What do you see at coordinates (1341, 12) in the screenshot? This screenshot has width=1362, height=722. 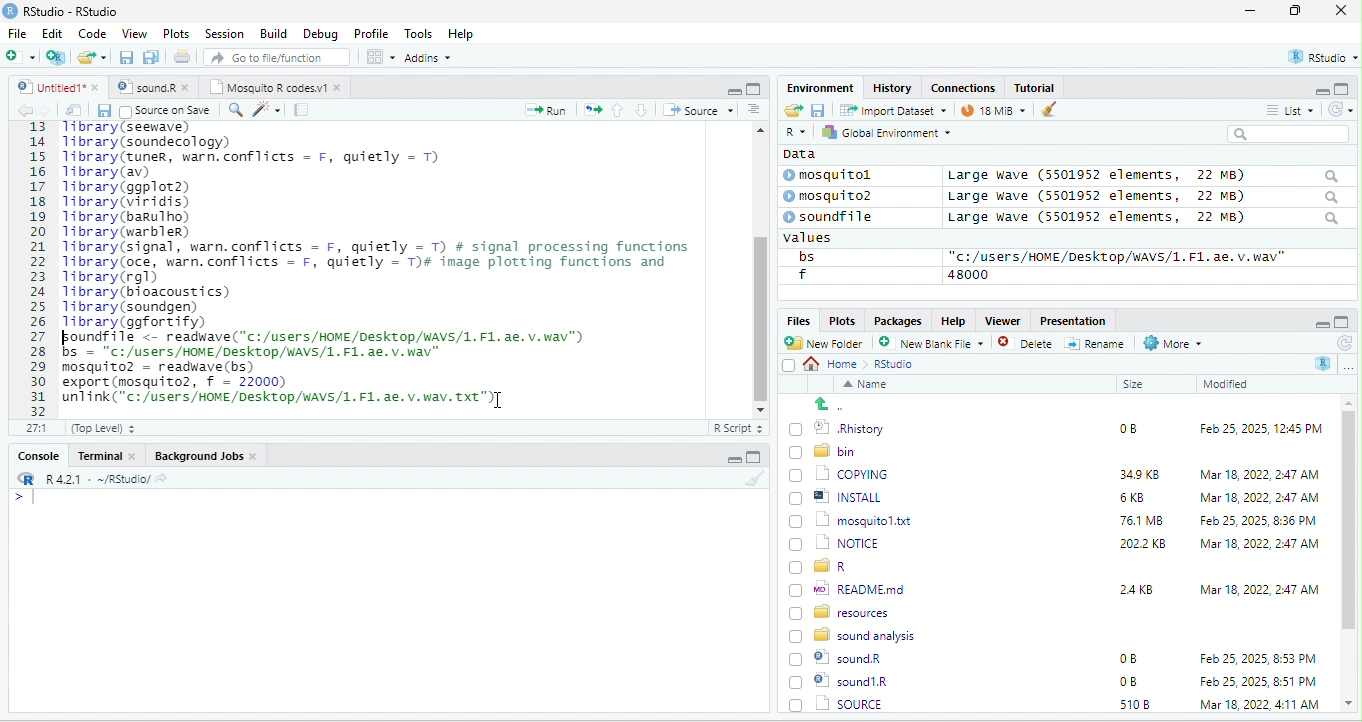 I see `close` at bounding box center [1341, 12].